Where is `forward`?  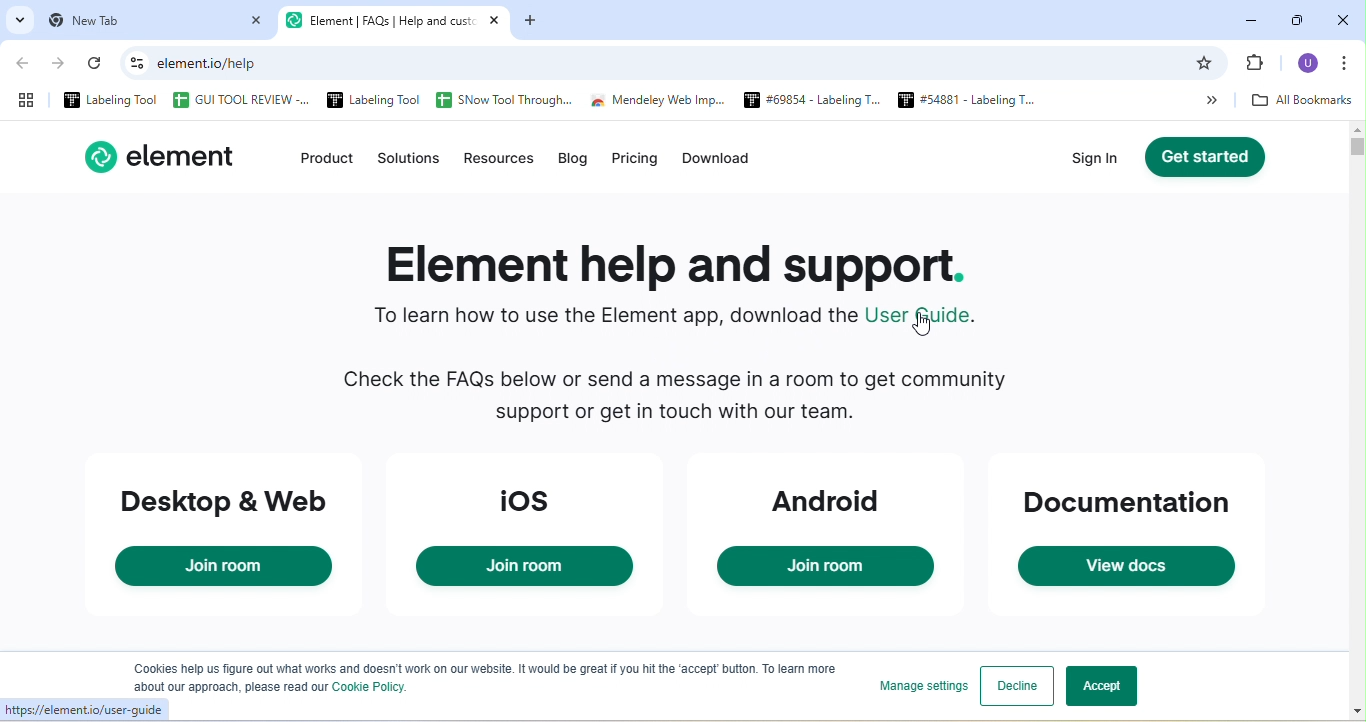 forward is located at coordinates (63, 64).